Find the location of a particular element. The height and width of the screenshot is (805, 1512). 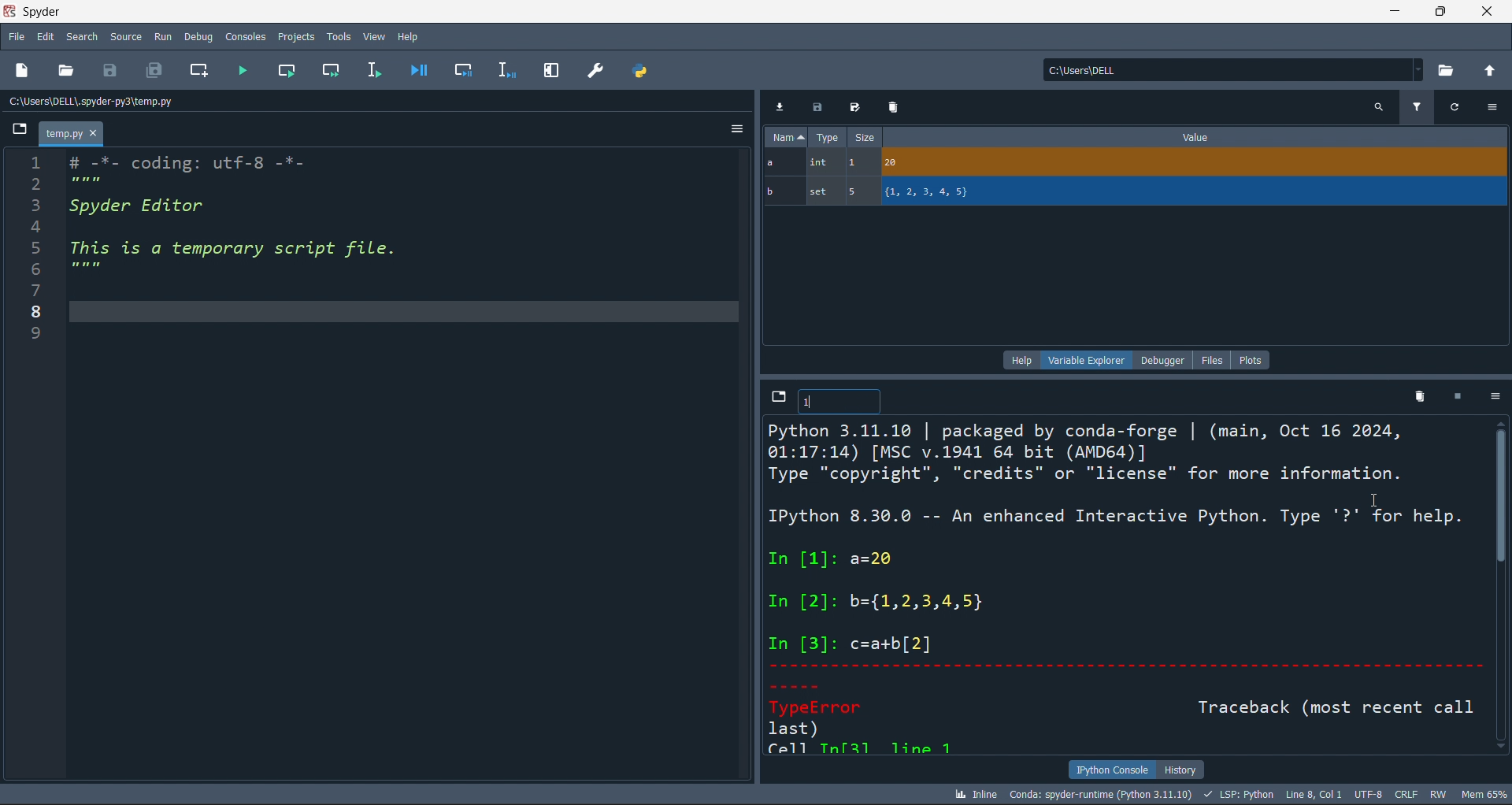

close is located at coordinates (1488, 11).